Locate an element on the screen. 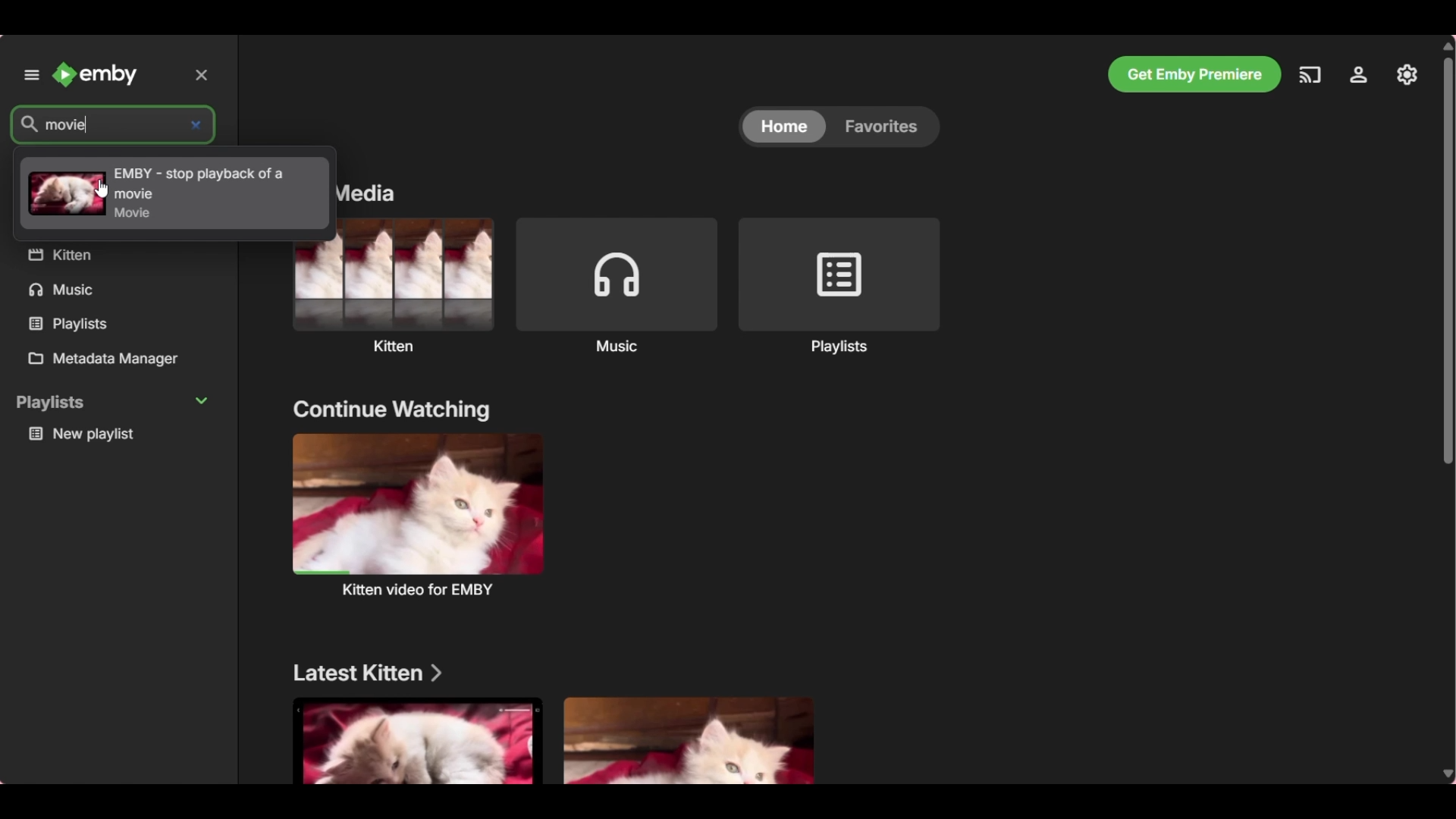  Playlists is located at coordinates (115, 403).